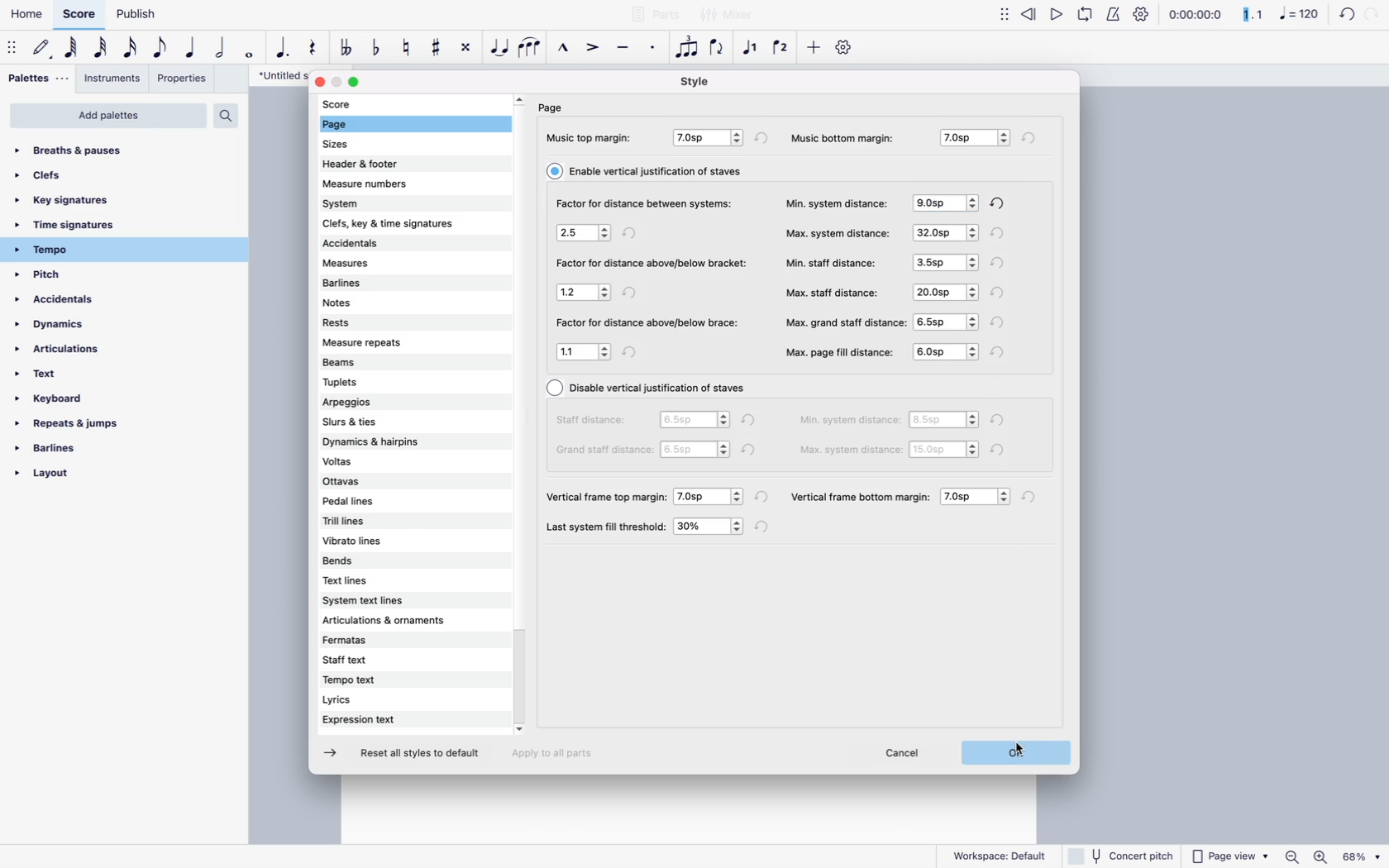 This screenshot has height=868, width=1389. What do you see at coordinates (379, 50) in the screenshot?
I see `toggle flat` at bounding box center [379, 50].